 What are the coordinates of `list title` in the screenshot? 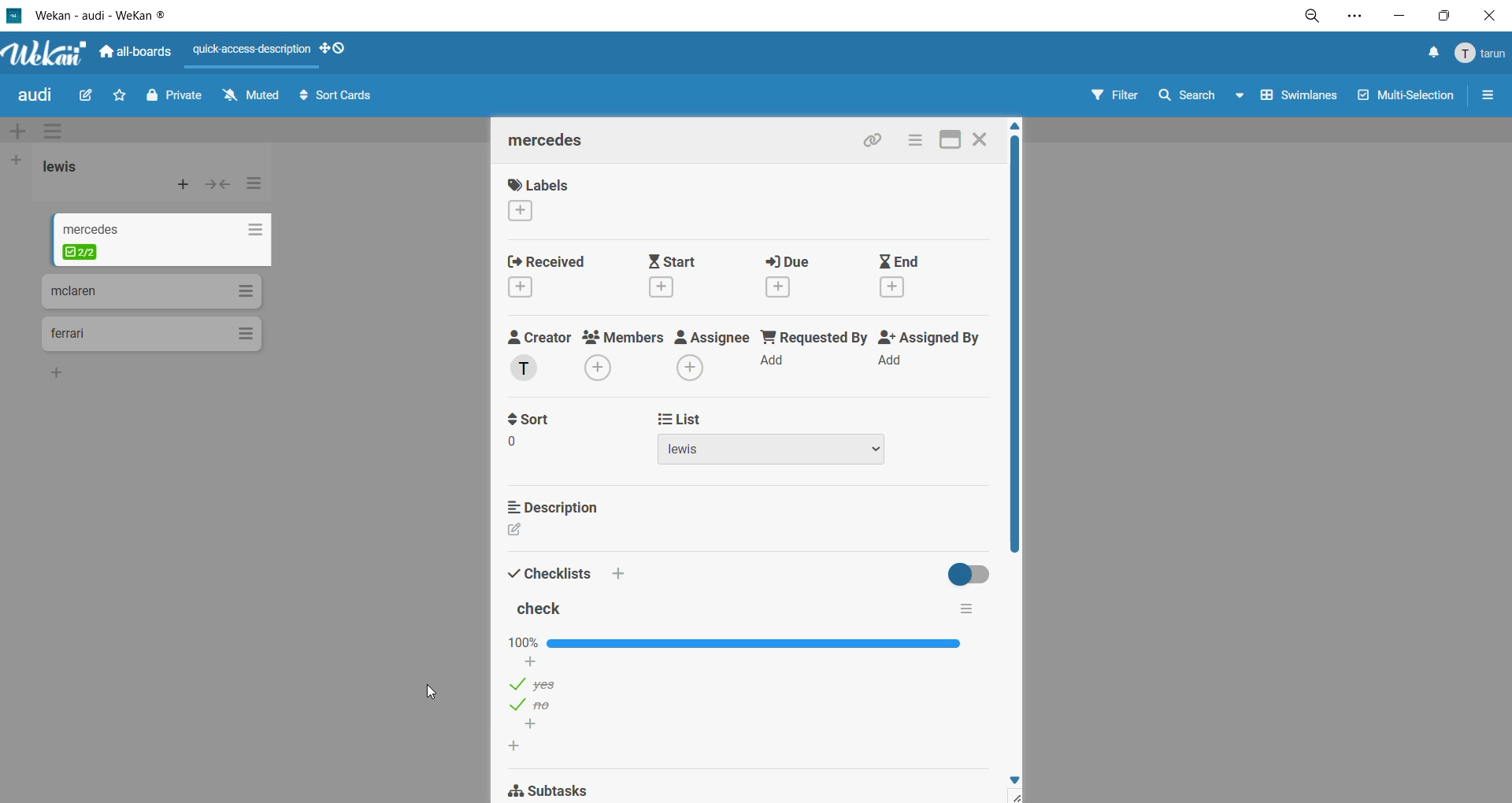 It's located at (104, 230).